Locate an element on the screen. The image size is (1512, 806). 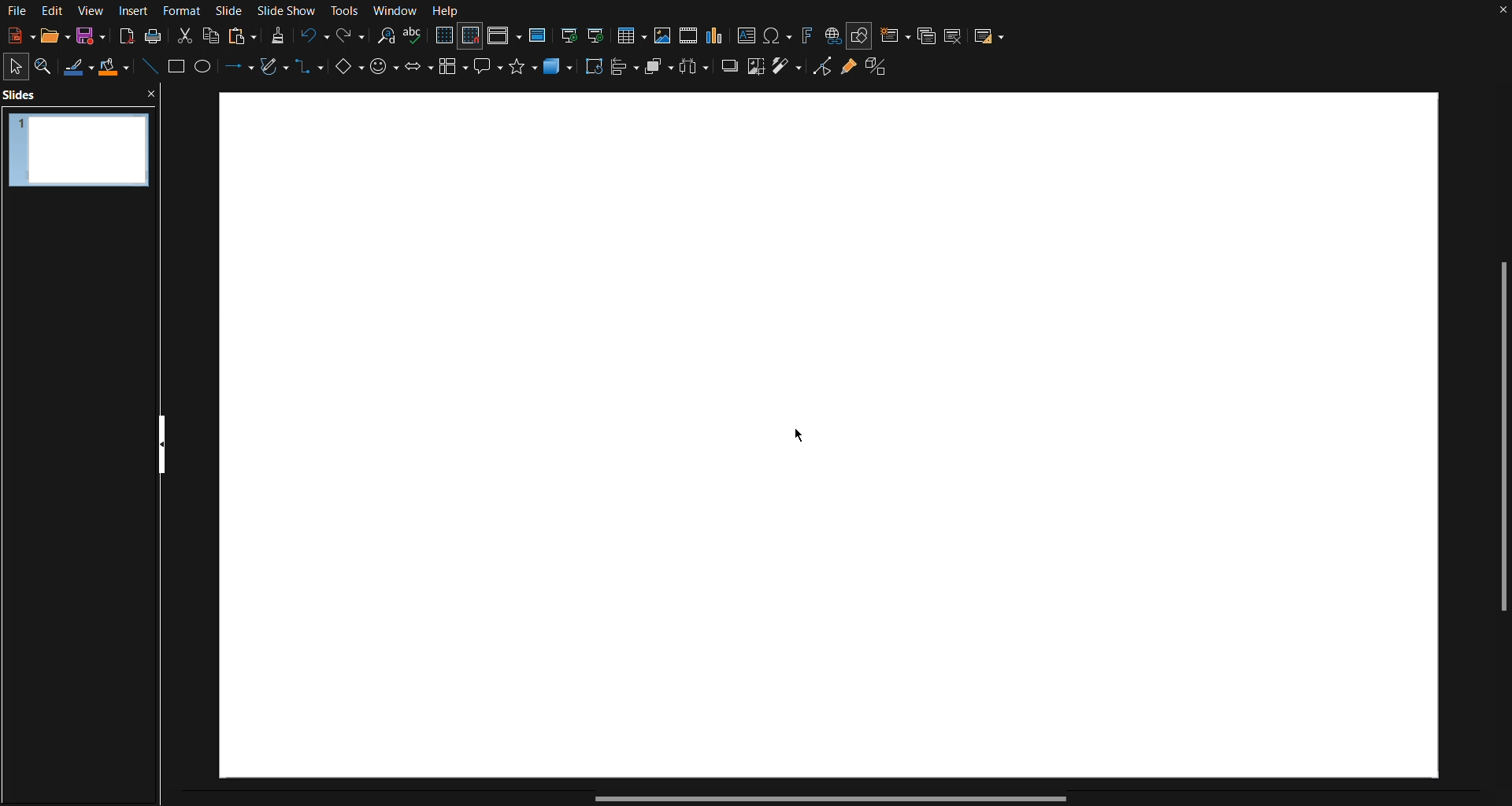
Shadow is located at coordinates (728, 72).